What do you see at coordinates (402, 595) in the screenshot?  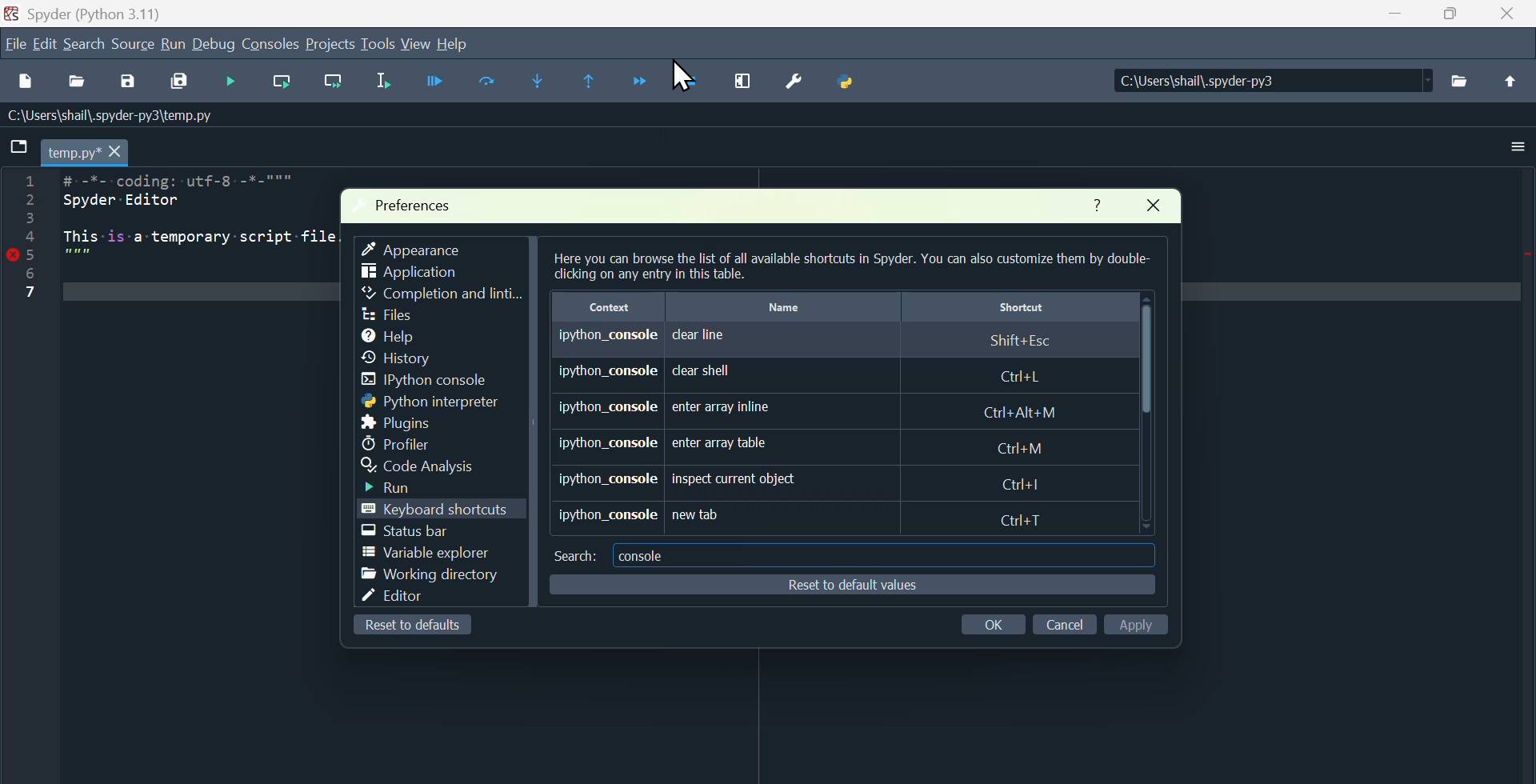 I see `Editor` at bounding box center [402, 595].